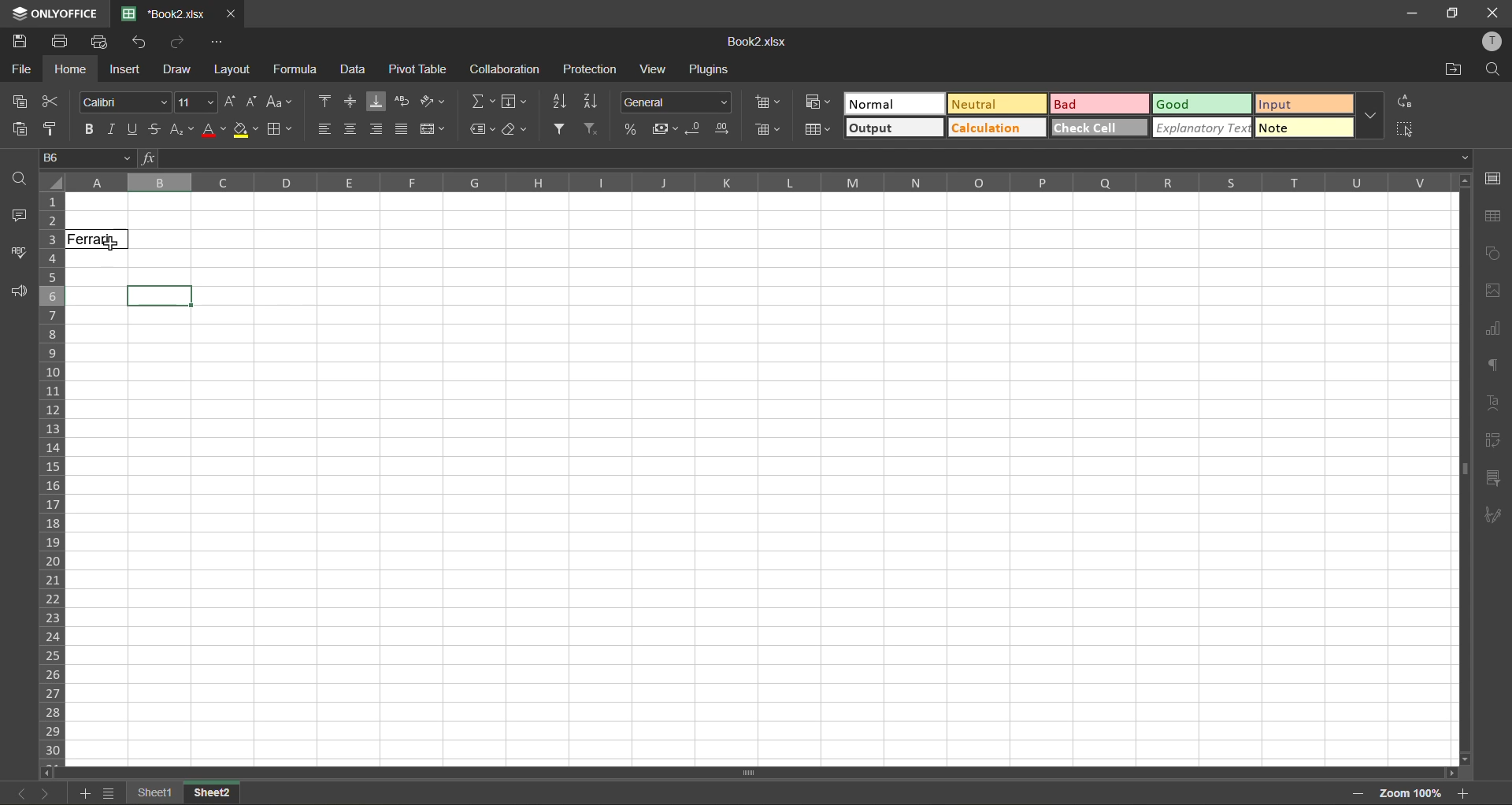 The height and width of the screenshot is (805, 1512). Describe the element at coordinates (232, 101) in the screenshot. I see `increment size` at that location.